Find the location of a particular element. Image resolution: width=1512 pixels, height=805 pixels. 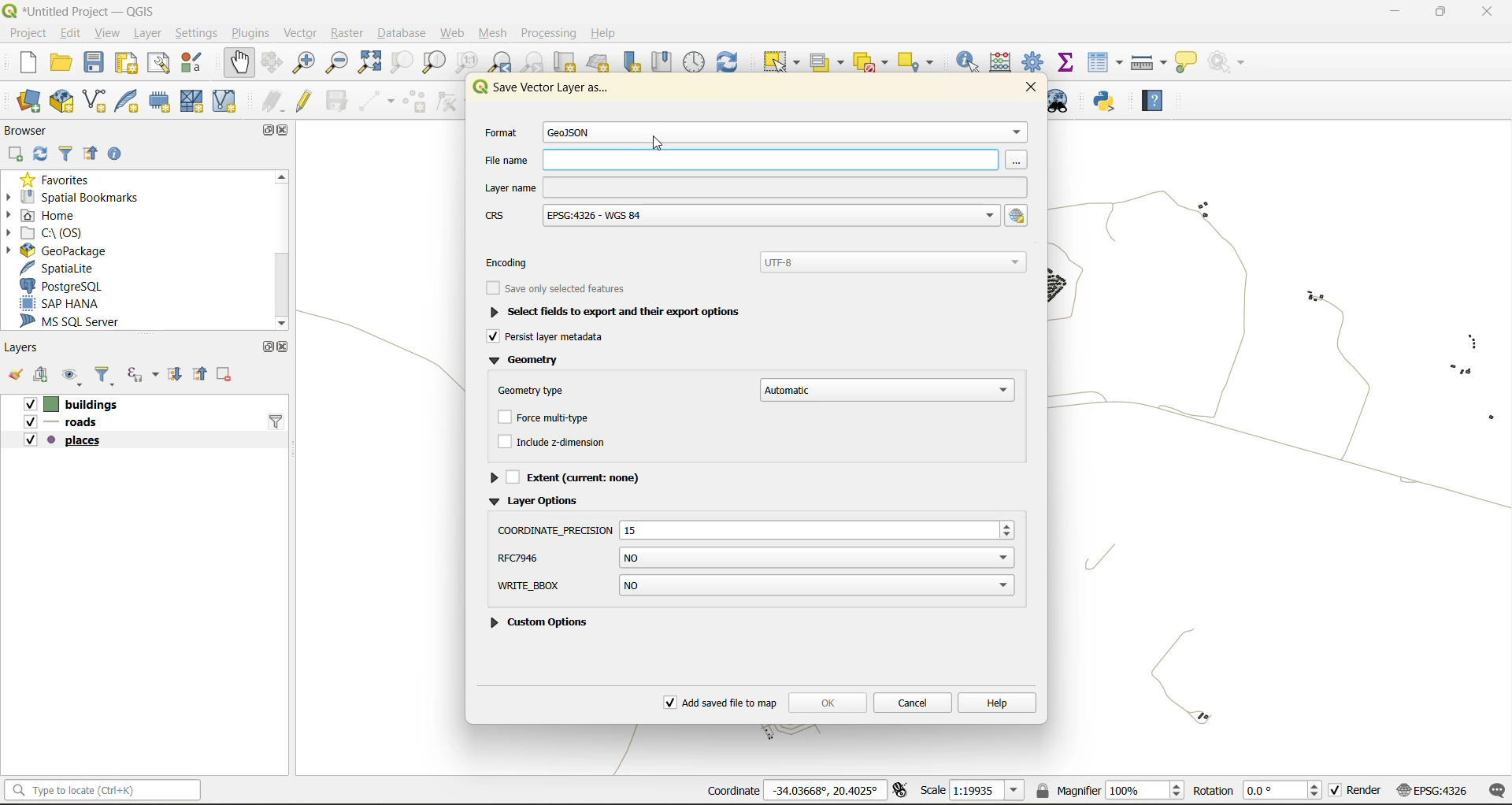

c\:os is located at coordinates (62, 232).